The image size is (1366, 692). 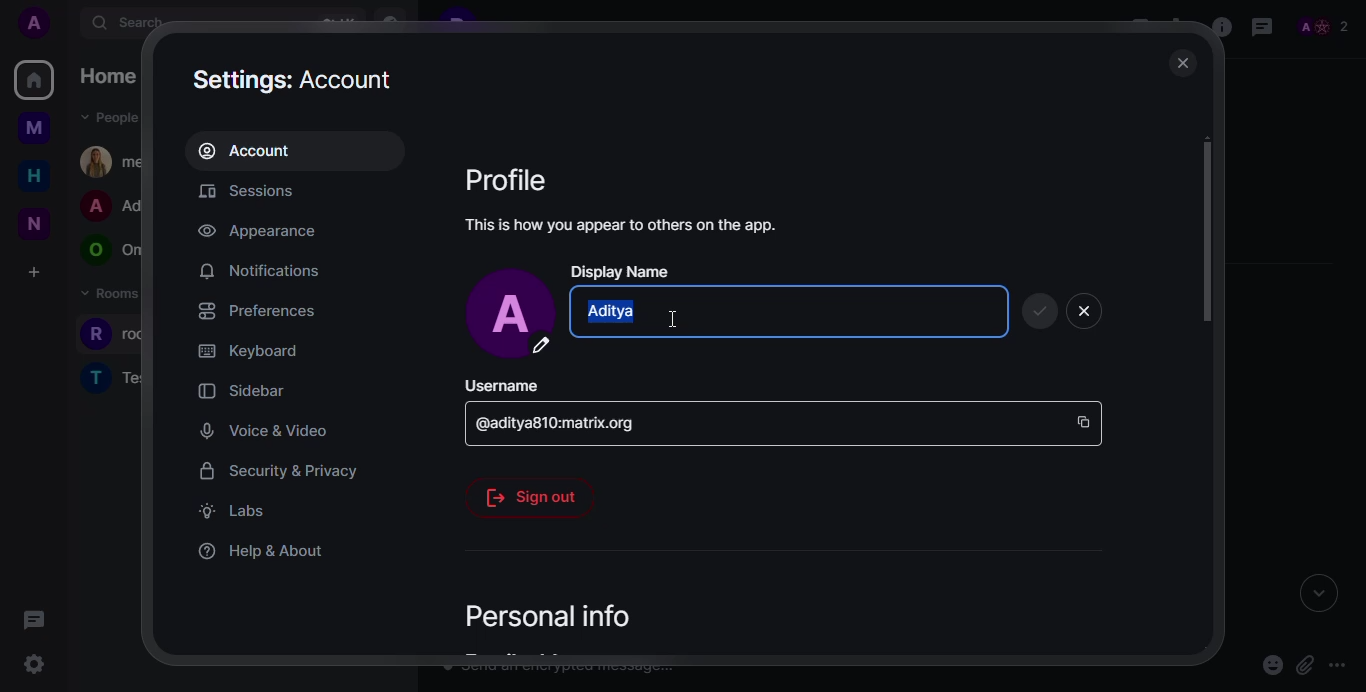 I want to click on emoji, so click(x=1271, y=665).